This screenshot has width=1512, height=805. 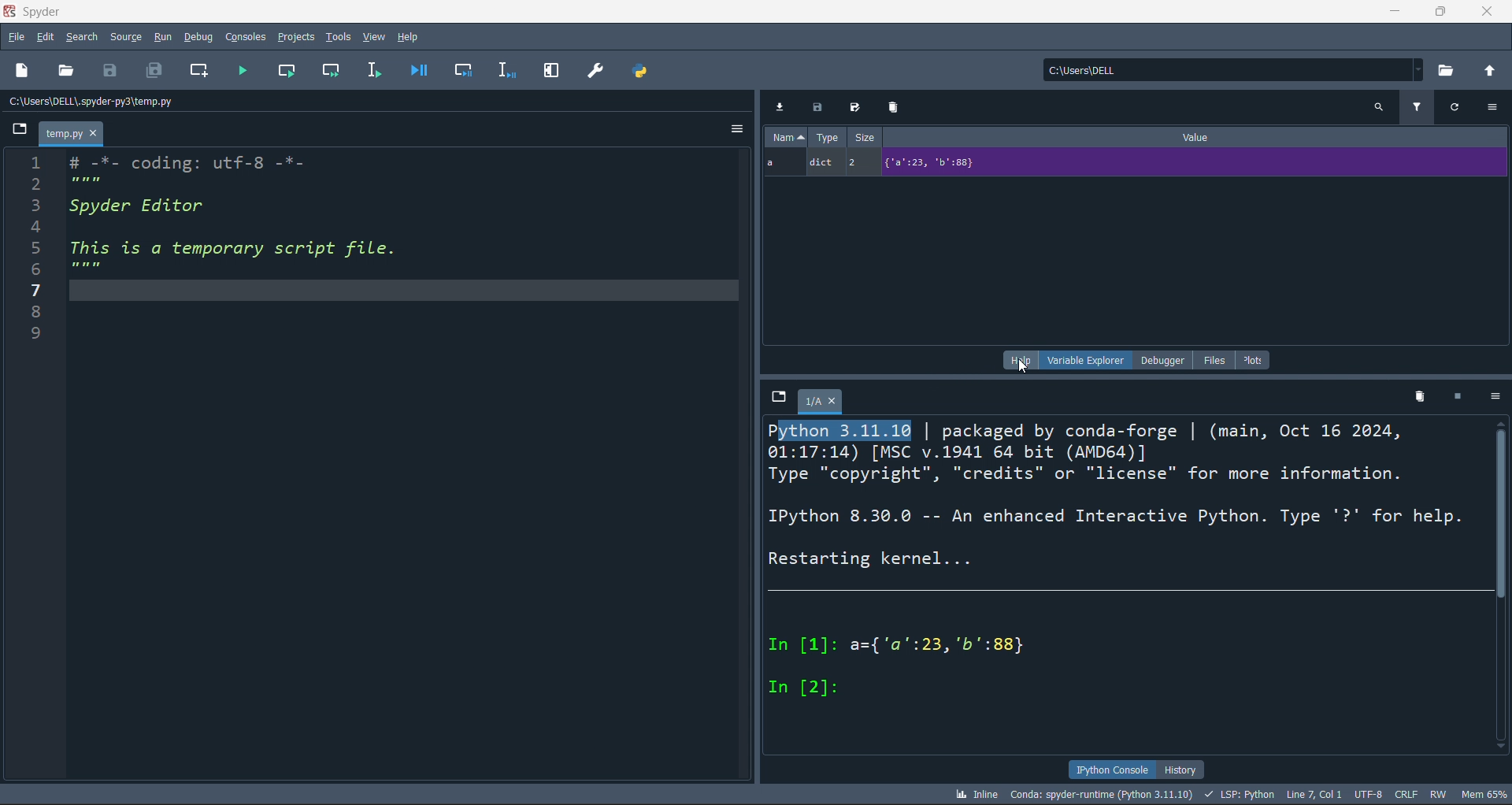 I want to click on files, so click(x=1209, y=360).